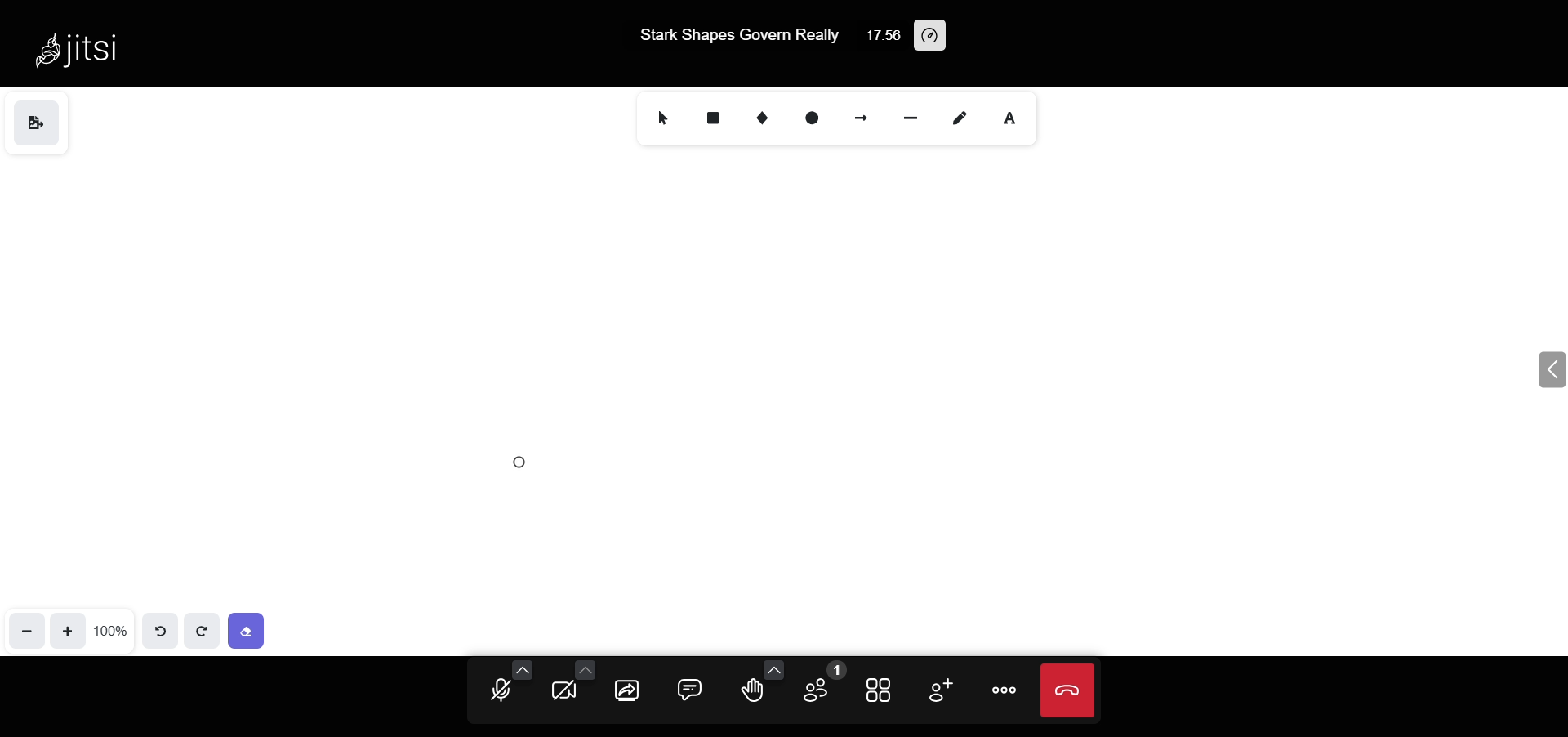  What do you see at coordinates (940, 690) in the screenshot?
I see `invite people` at bounding box center [940, 690].